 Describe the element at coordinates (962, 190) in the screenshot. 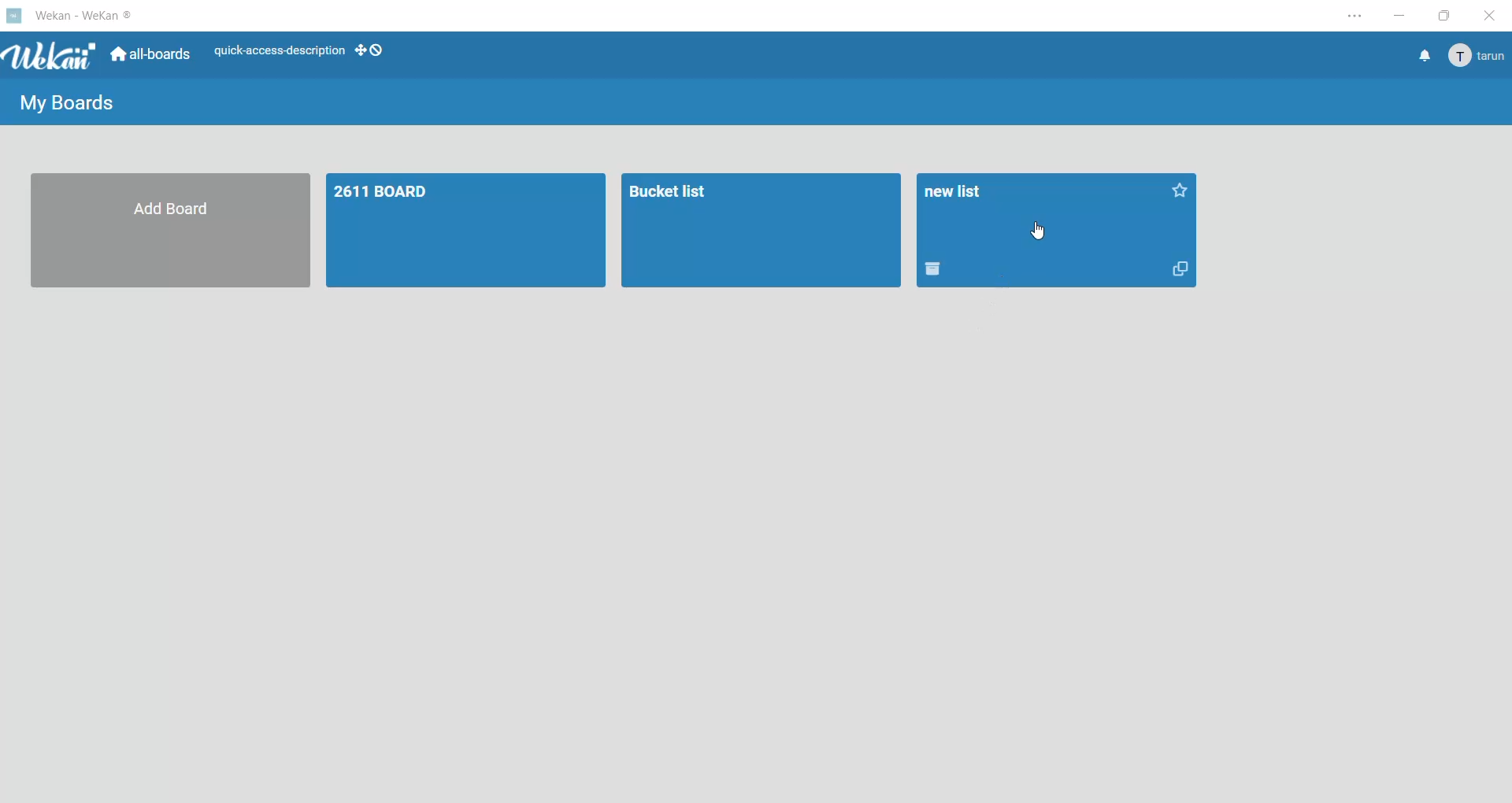

I see `board title` at that location.